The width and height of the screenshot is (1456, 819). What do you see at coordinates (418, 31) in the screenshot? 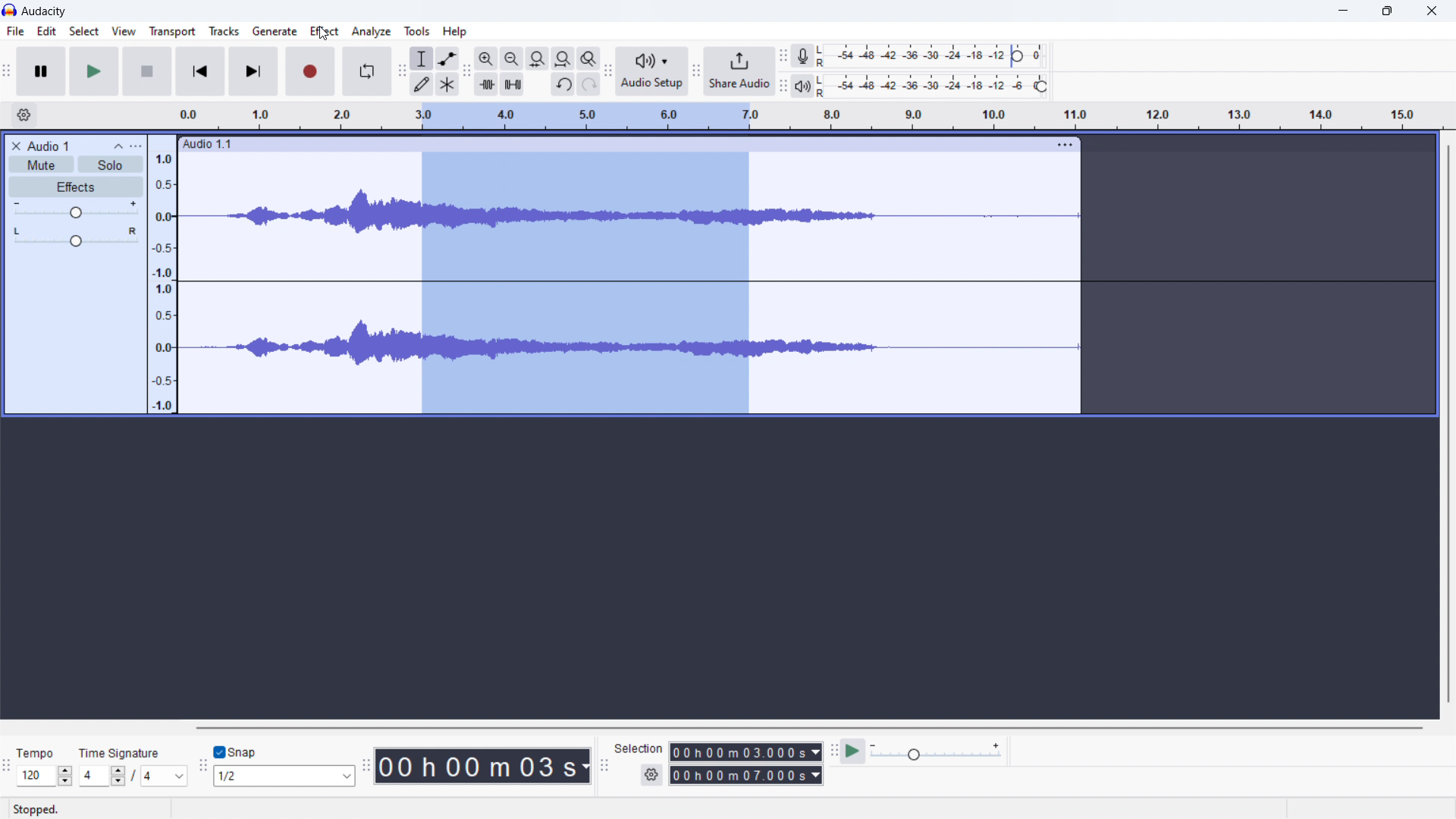
I see `tools` at bounding box center [418, 31].